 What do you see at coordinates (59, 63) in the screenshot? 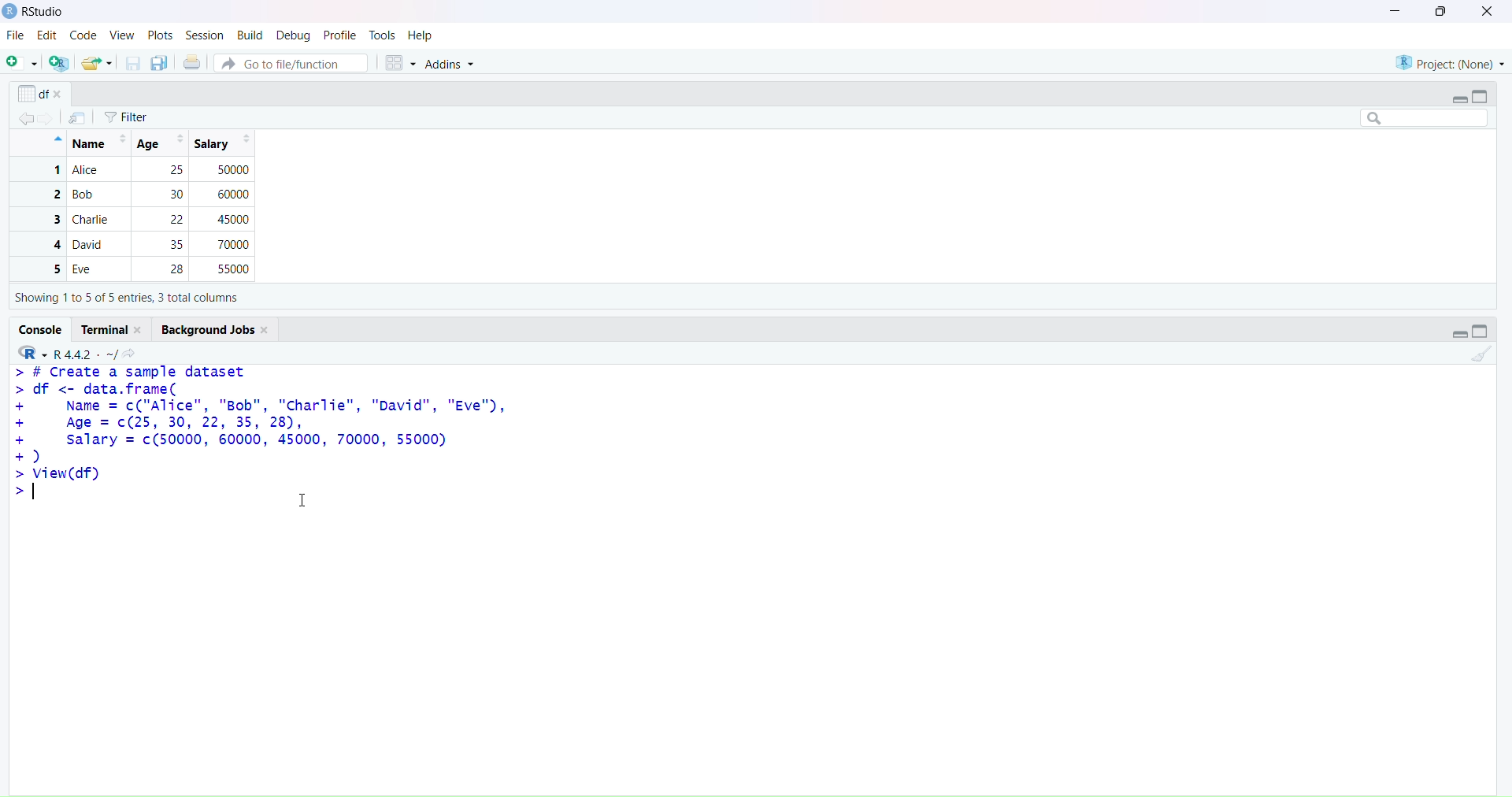
I see `create a project` at bounding box center [59, 63].